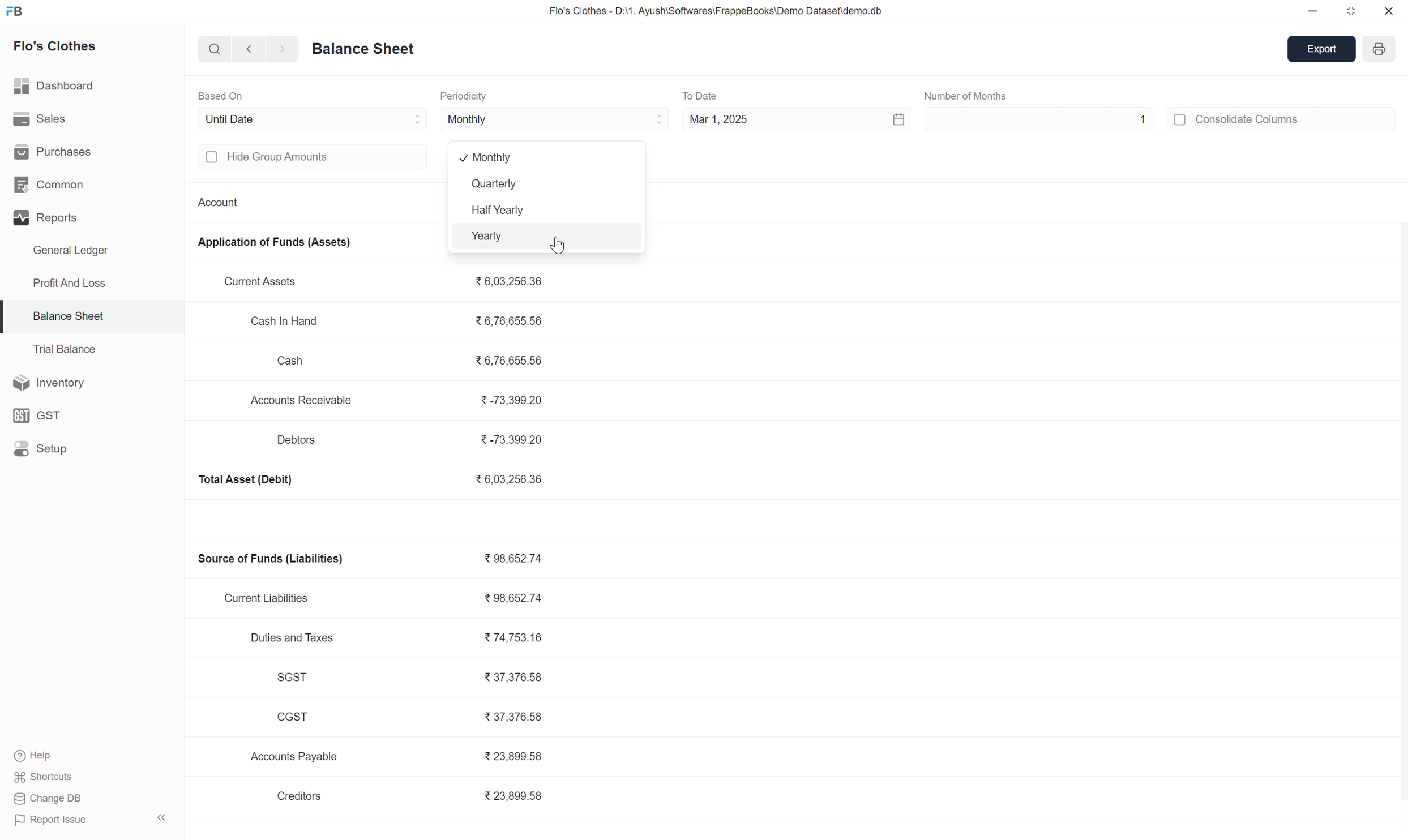  What do you see at coordinates (1321, 50) in the screenshot?
I see `export` at bounding box center [1321, 50].